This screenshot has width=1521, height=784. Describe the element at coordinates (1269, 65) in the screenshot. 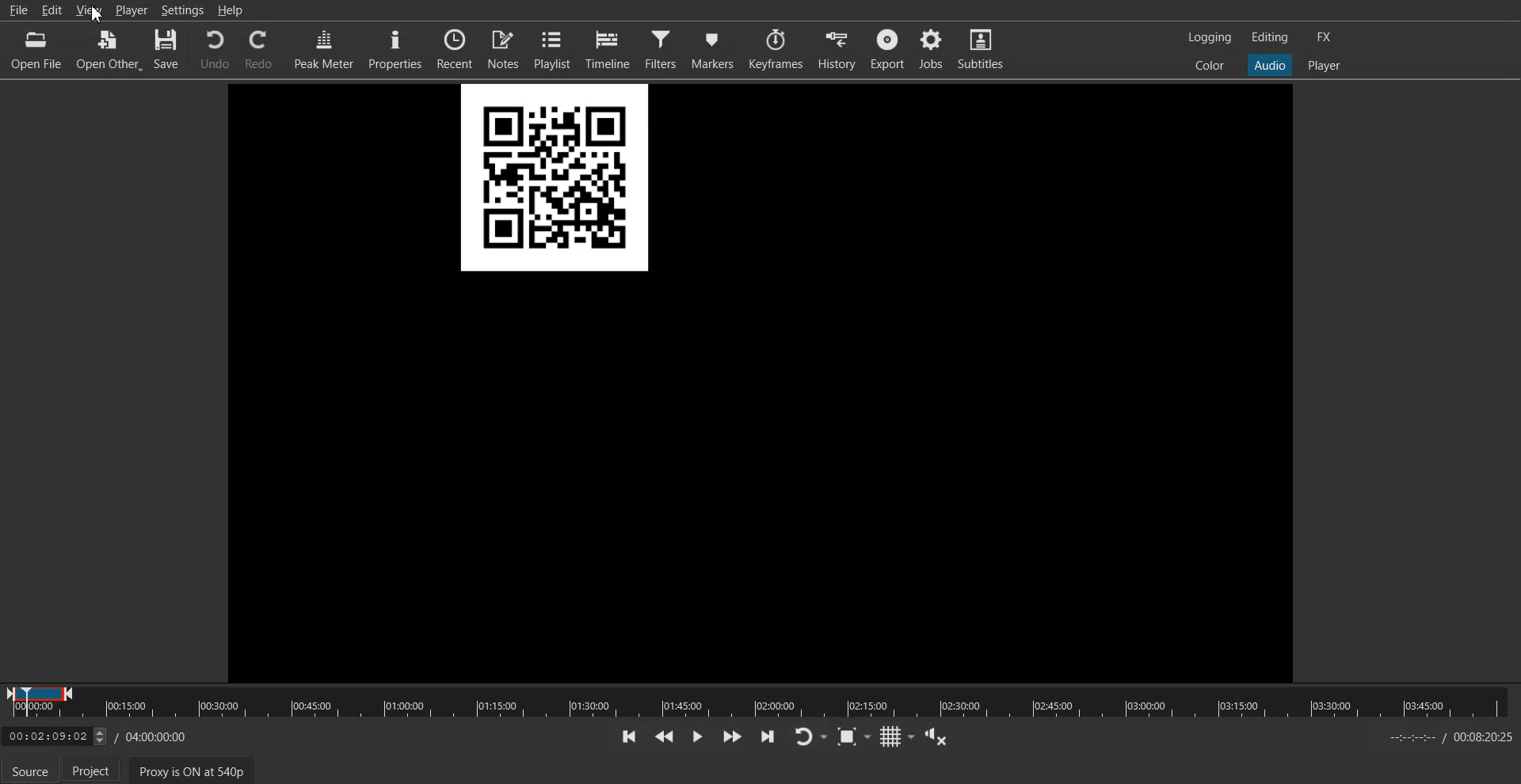

I see `Switch to the Audio layout` at that location.